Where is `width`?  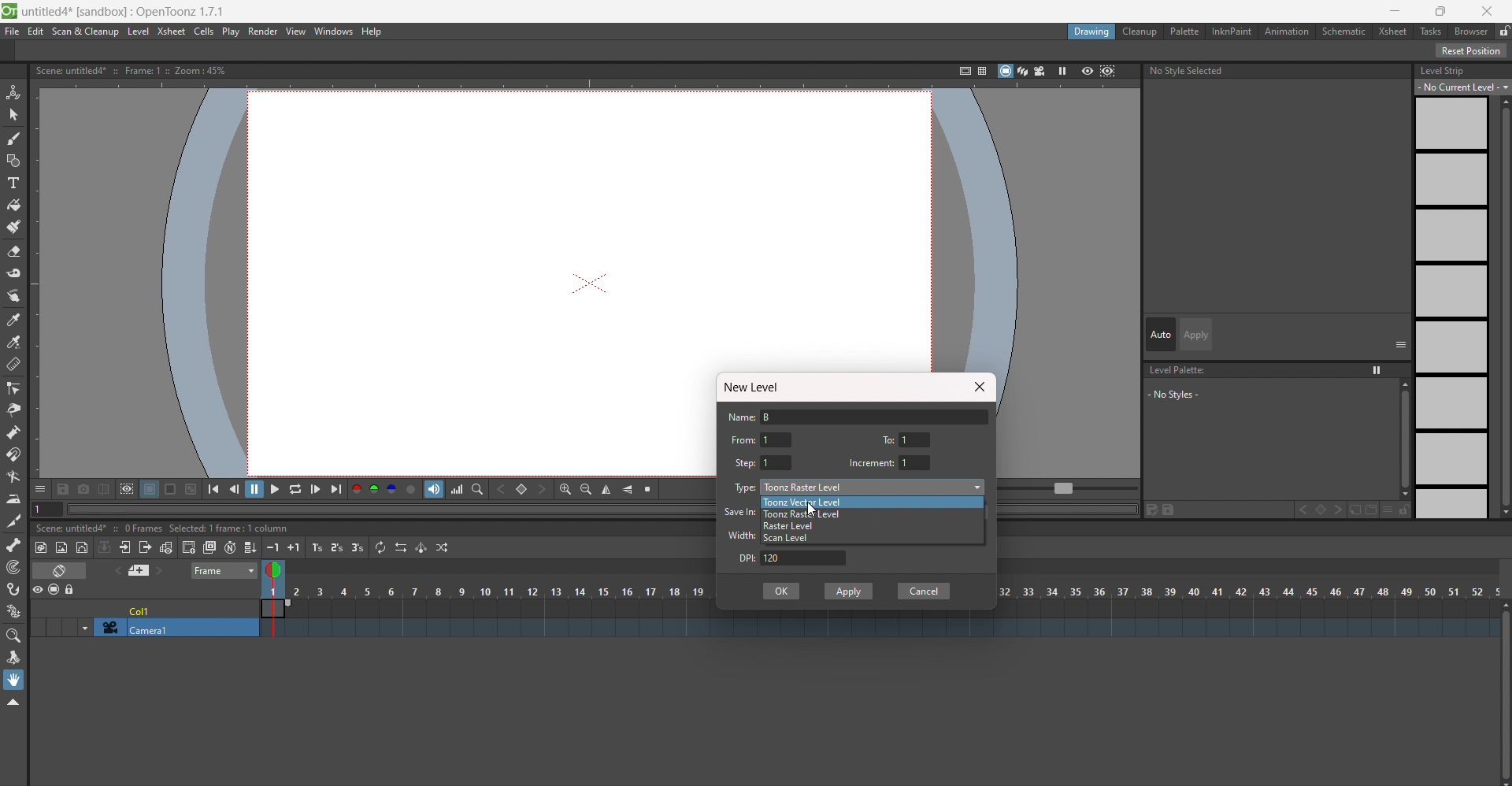 width is located at coordinates (743, 535).